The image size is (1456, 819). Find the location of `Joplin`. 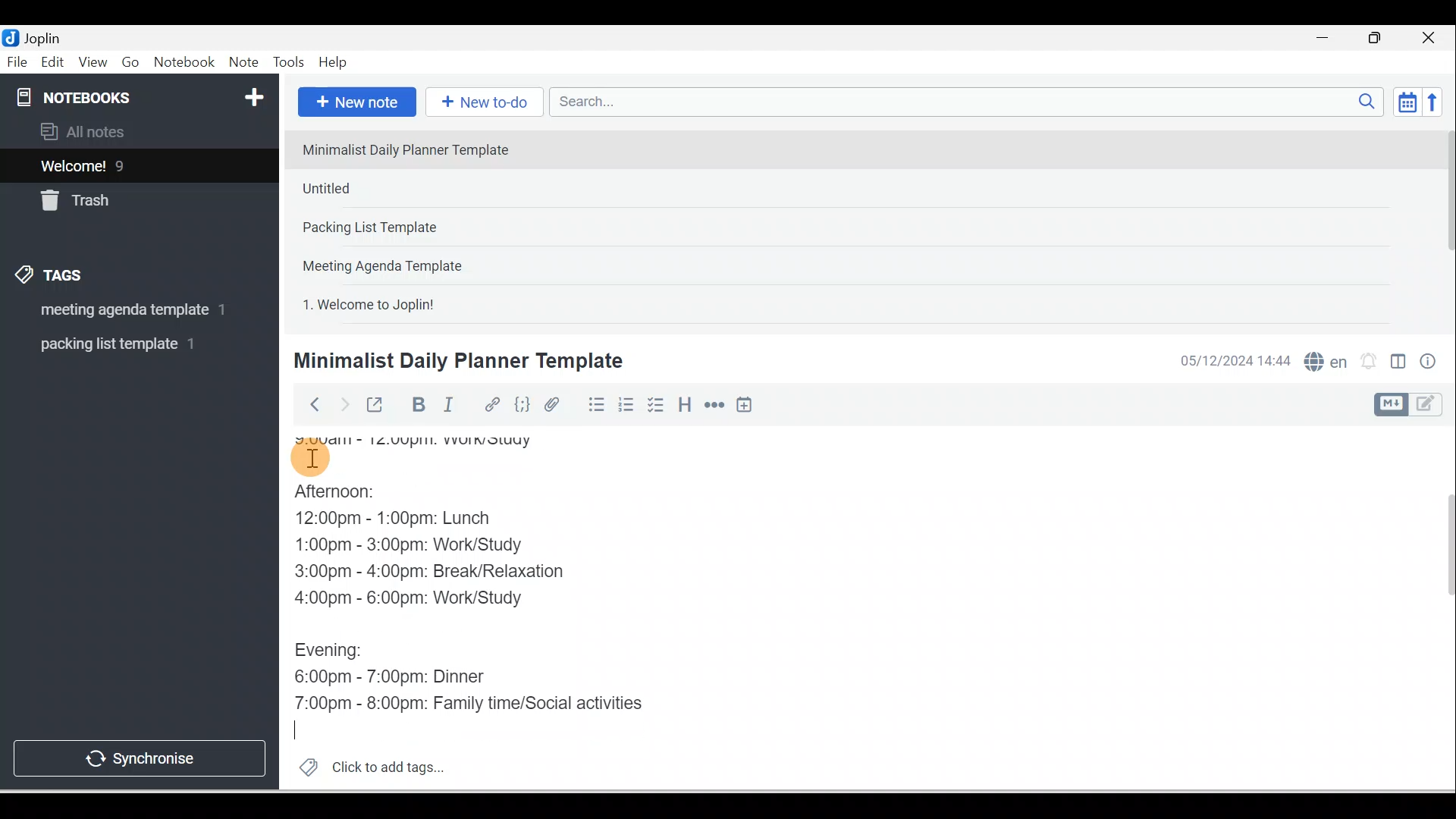

Joplin is located at coordinates (46, 36).